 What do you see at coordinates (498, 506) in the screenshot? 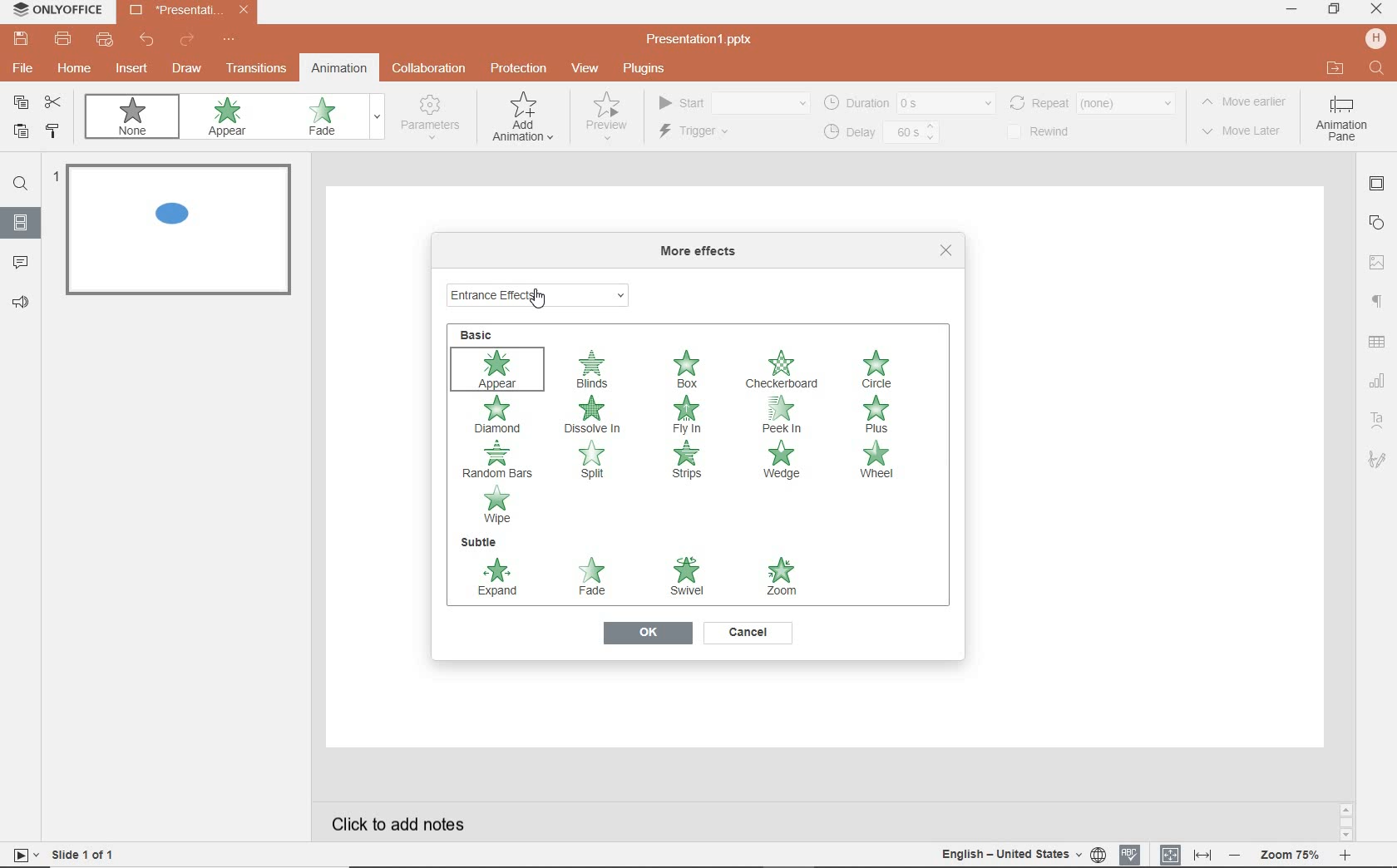
I see `WIPE` at bounding box center [498, 506].